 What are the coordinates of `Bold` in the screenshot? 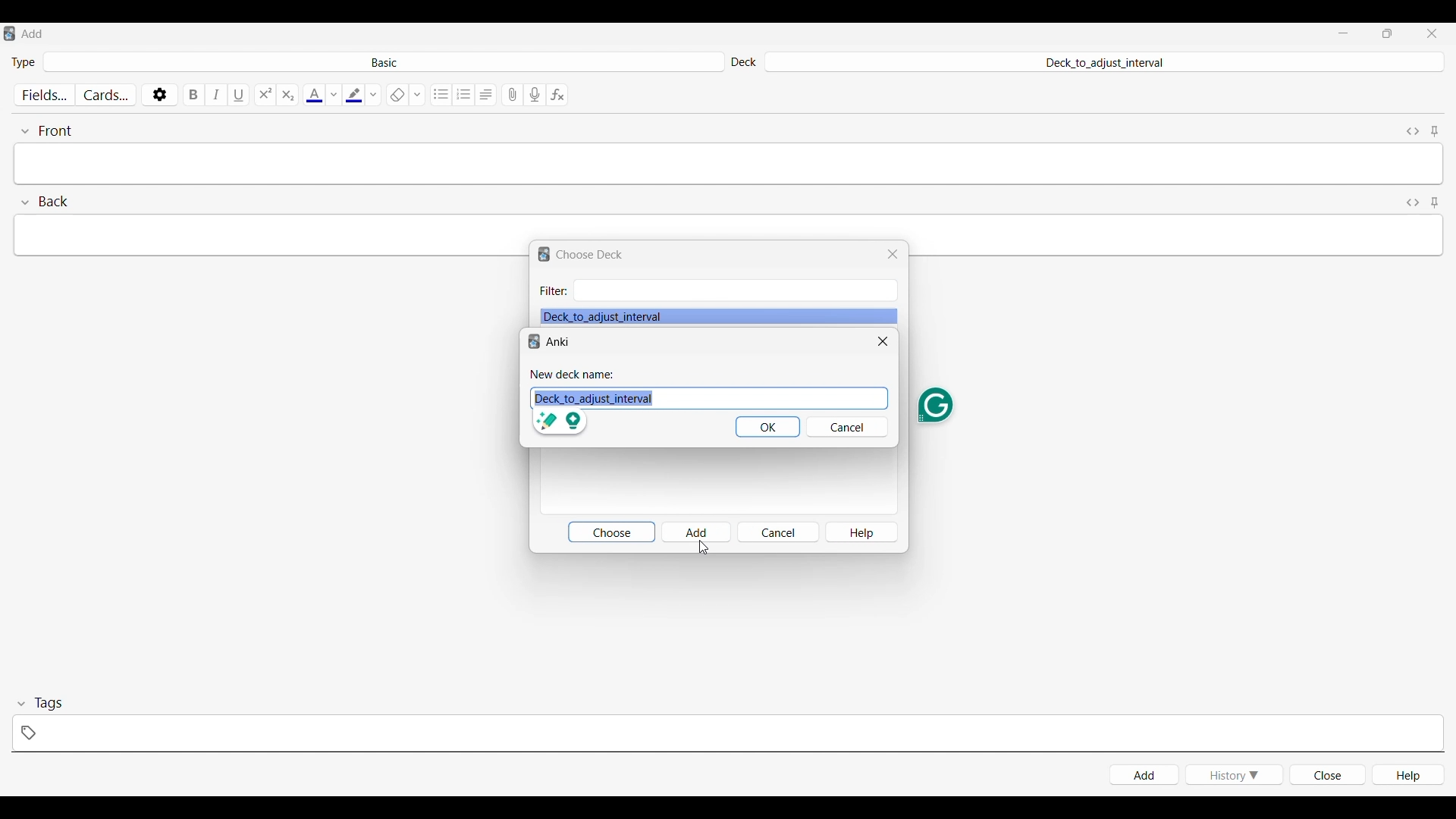 It's located at (194, 94).